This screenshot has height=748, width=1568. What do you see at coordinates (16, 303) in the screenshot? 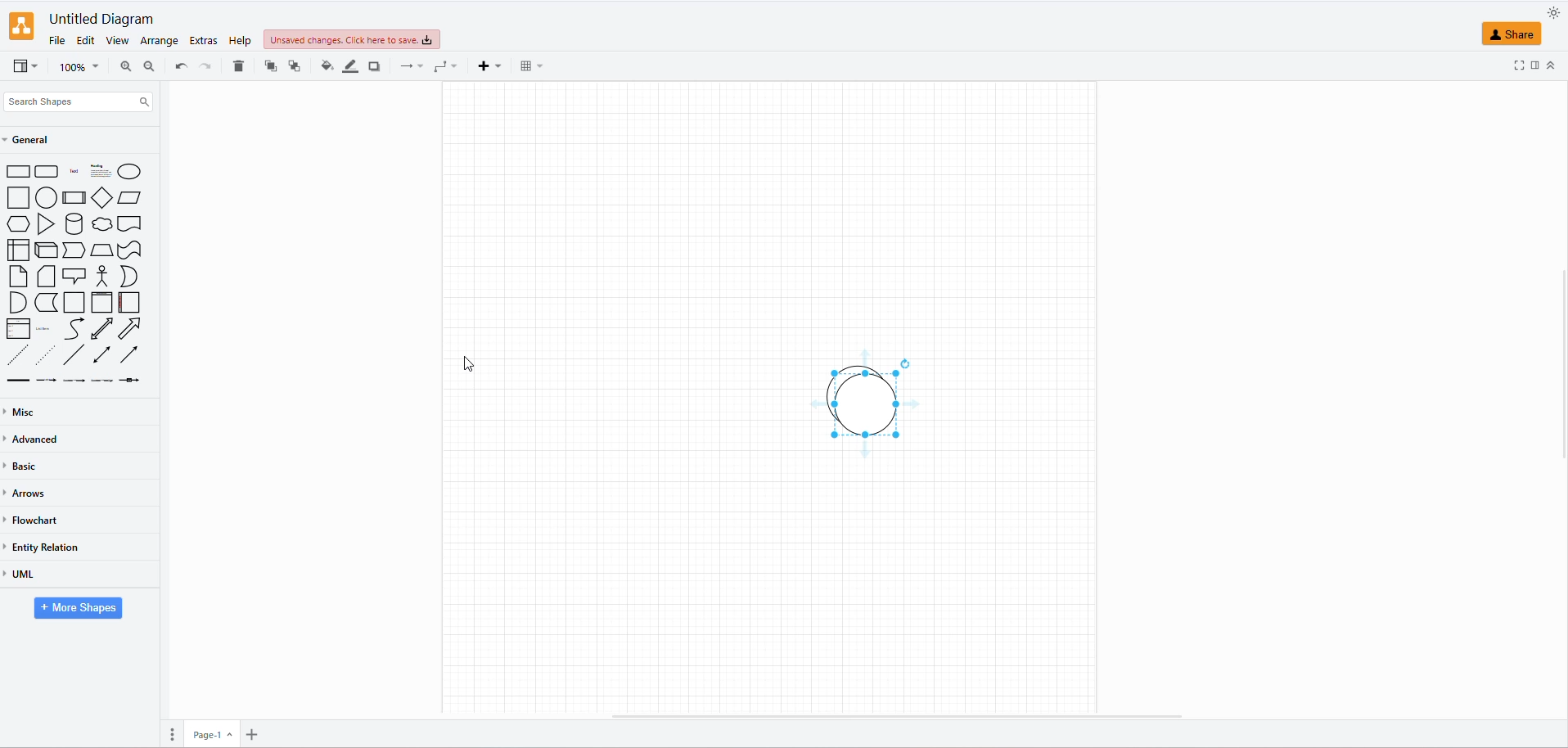
I see `AND` at bounding box center [16, 303].